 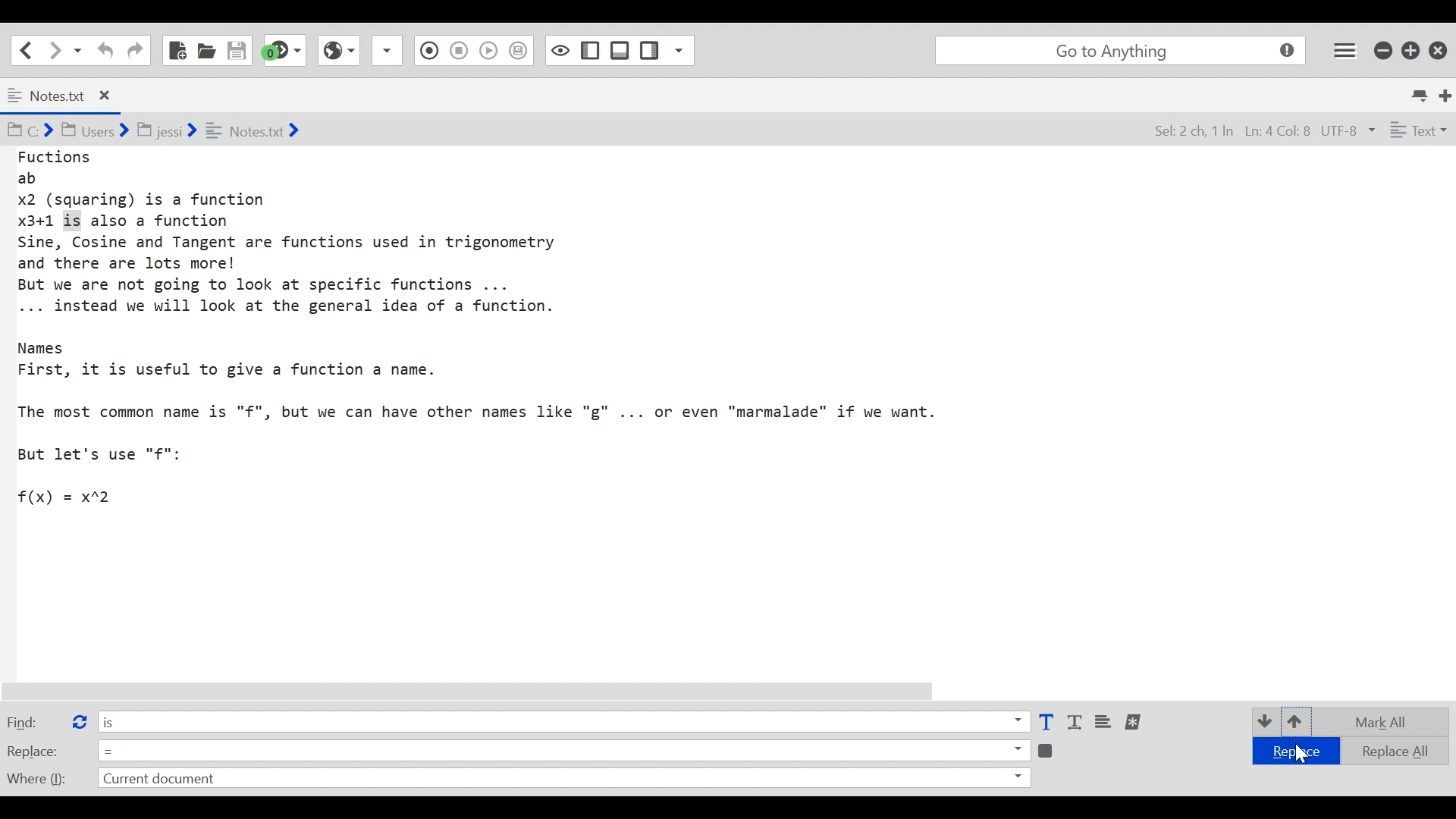 What do you see at coordinates (103, 50) in the screenshot?
I see `Undo` at bounding box center [103, 50].